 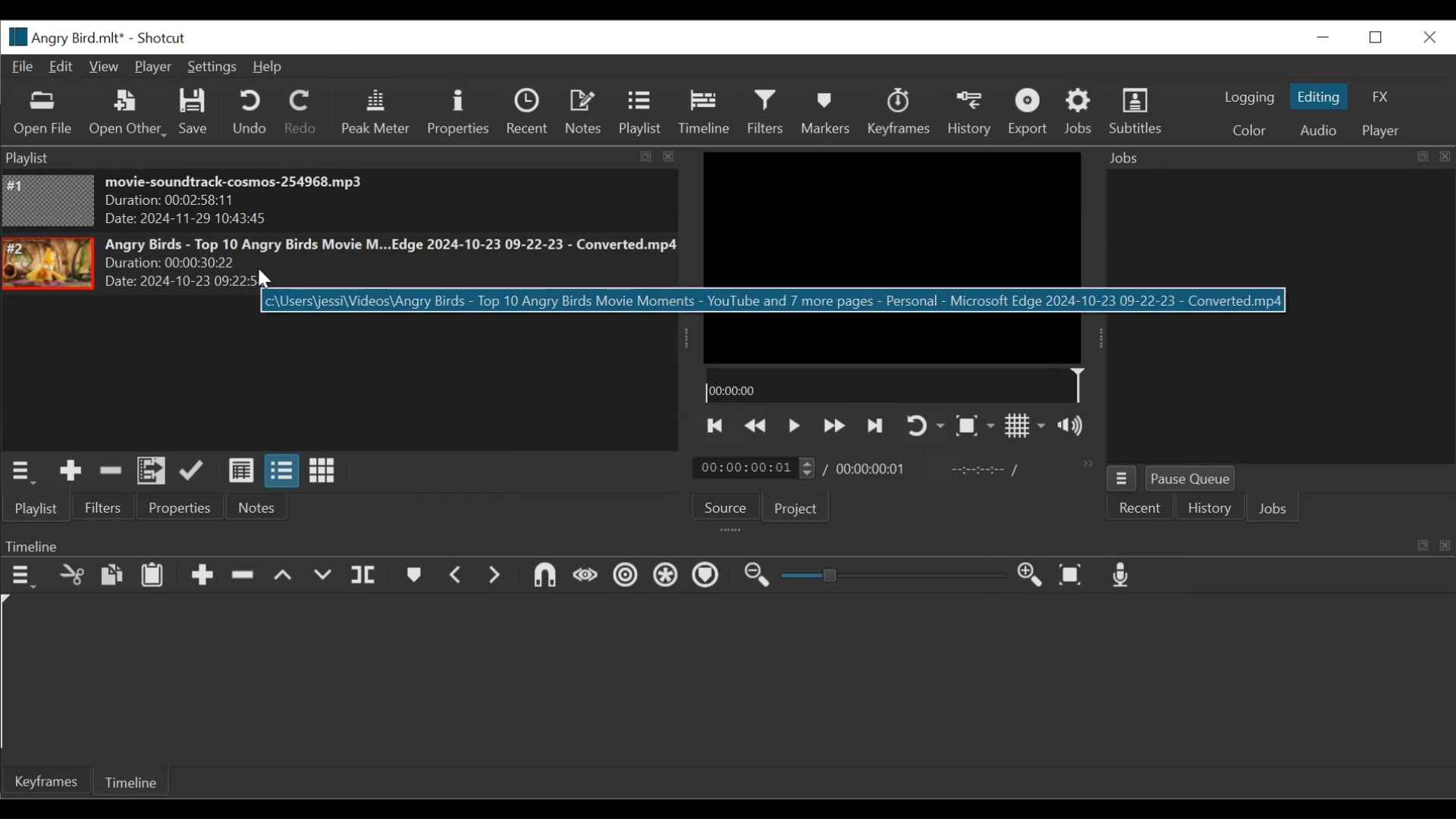 I want to click on Add files to the playlist, so click(x=152, y=472).